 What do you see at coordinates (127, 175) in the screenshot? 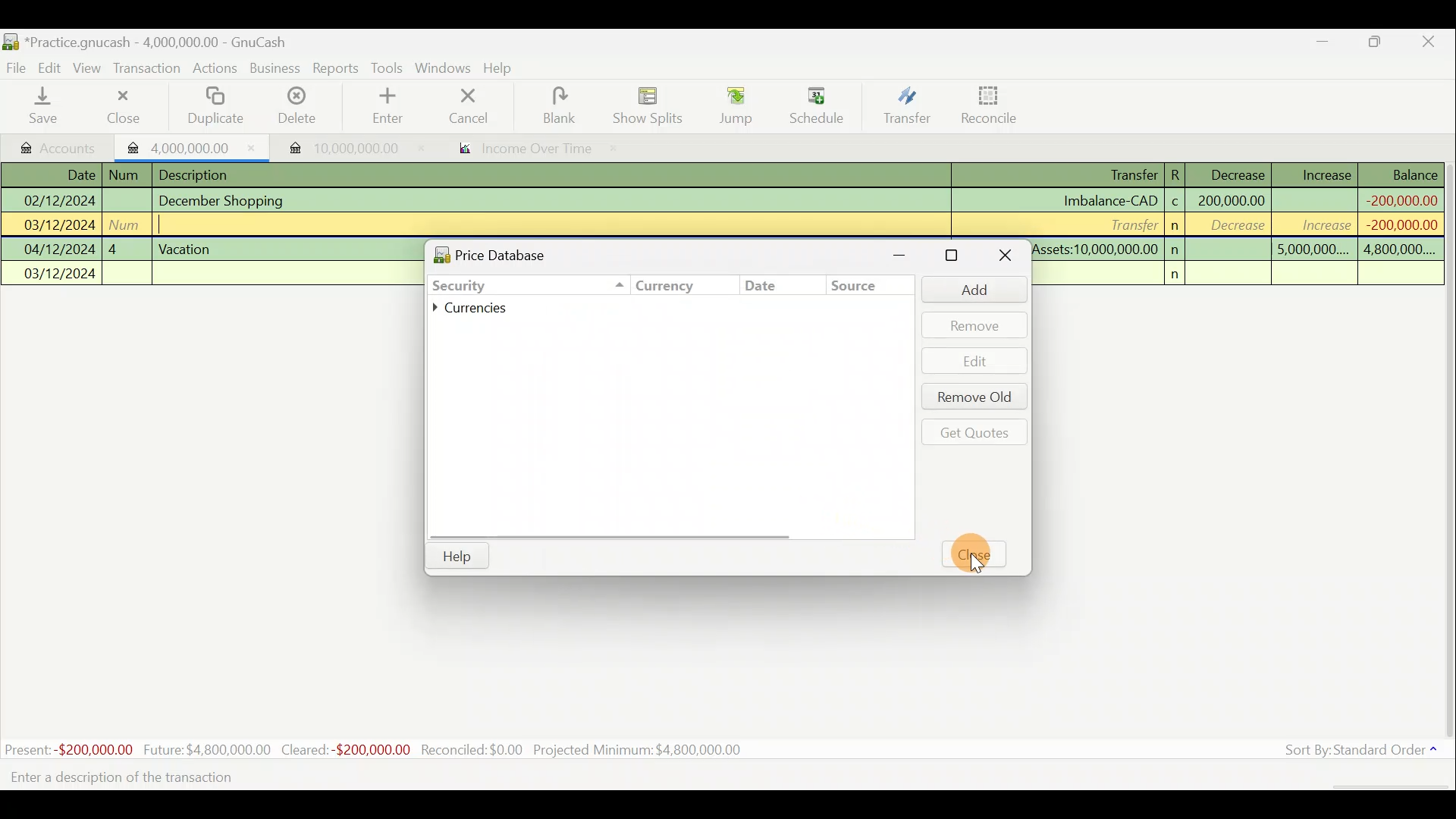
I see `num` at bounding box center [127, 175].